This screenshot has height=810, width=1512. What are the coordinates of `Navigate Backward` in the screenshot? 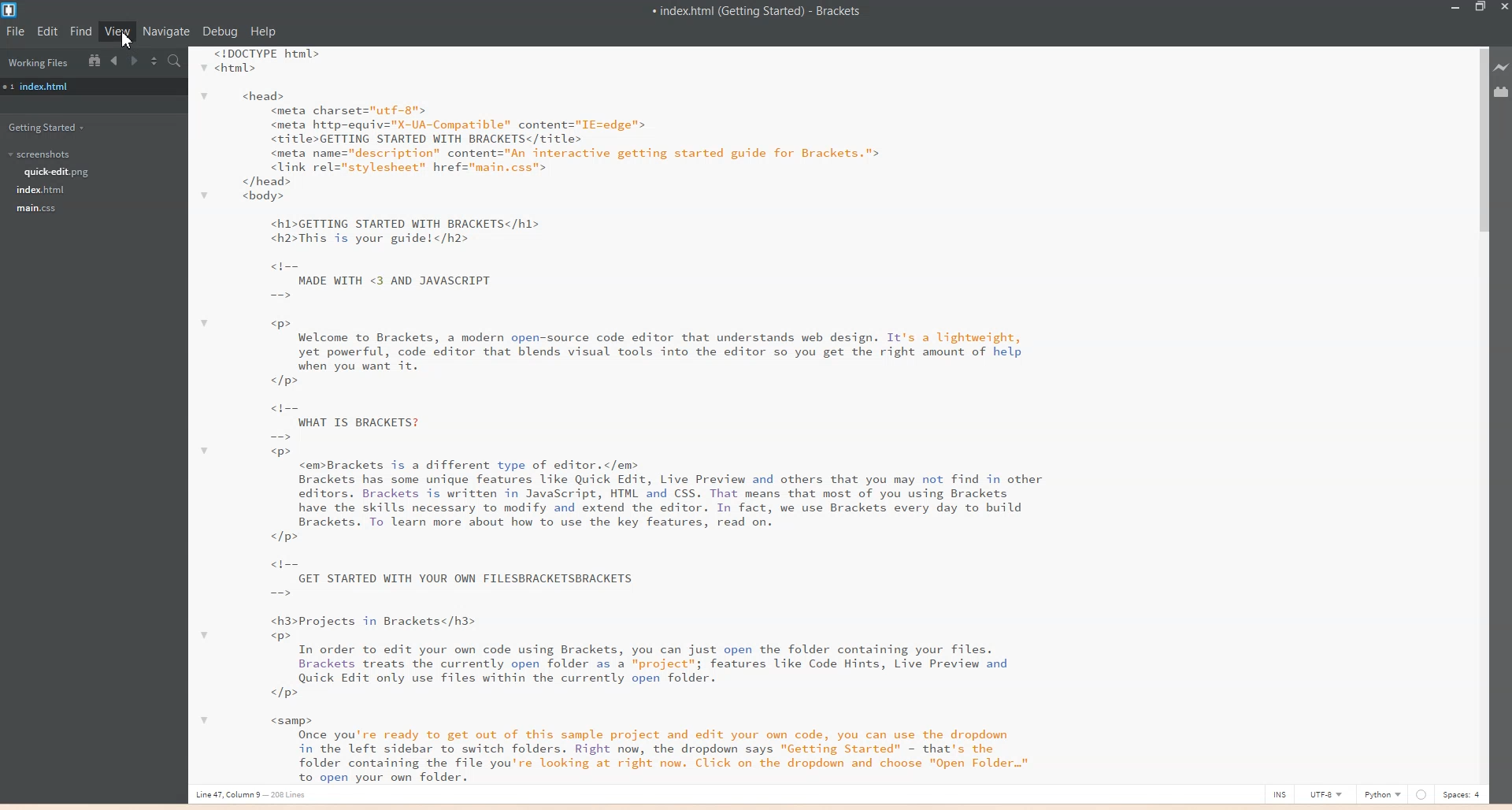 It's located at (116, 61).